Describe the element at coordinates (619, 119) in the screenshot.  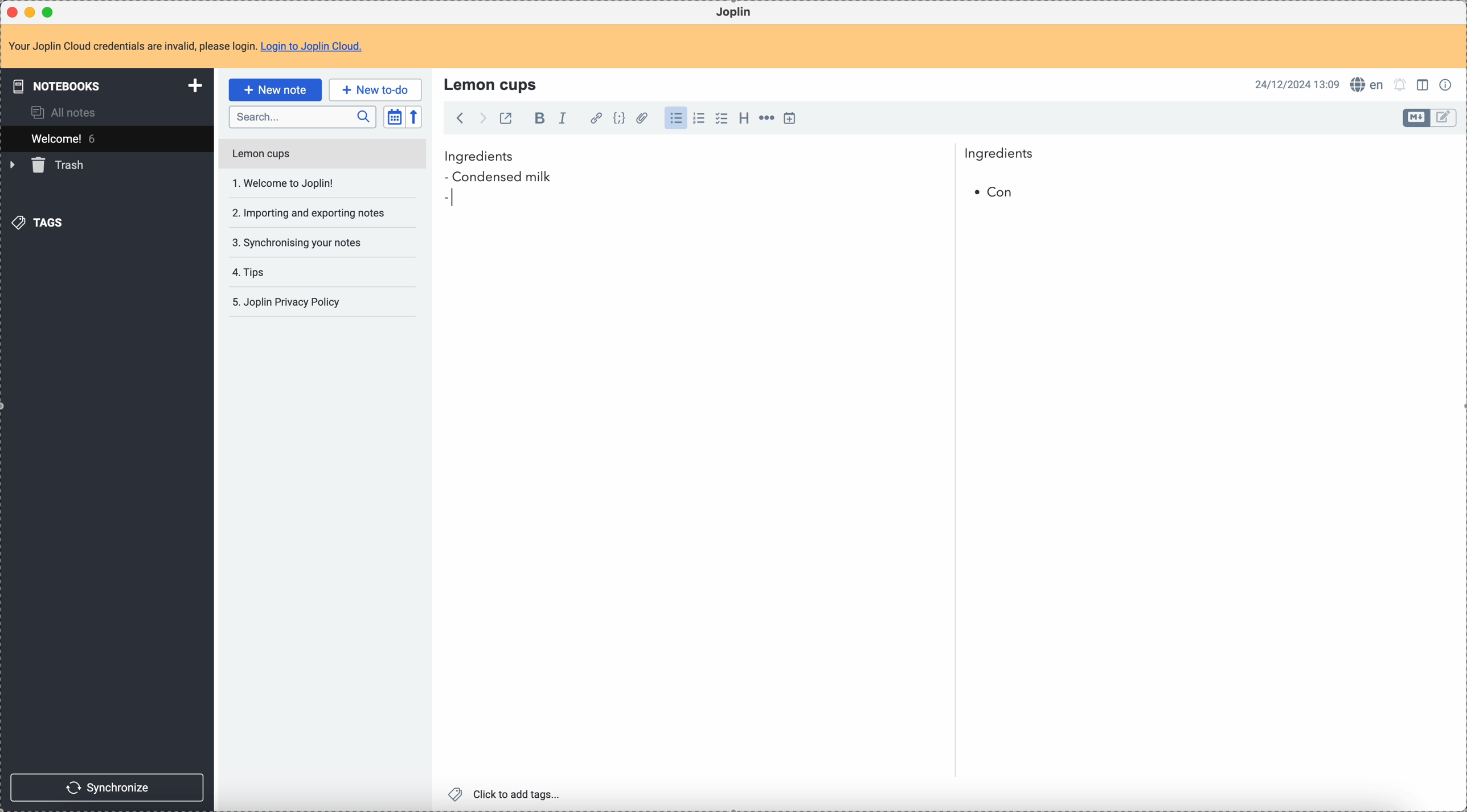
I see `code` at that location.